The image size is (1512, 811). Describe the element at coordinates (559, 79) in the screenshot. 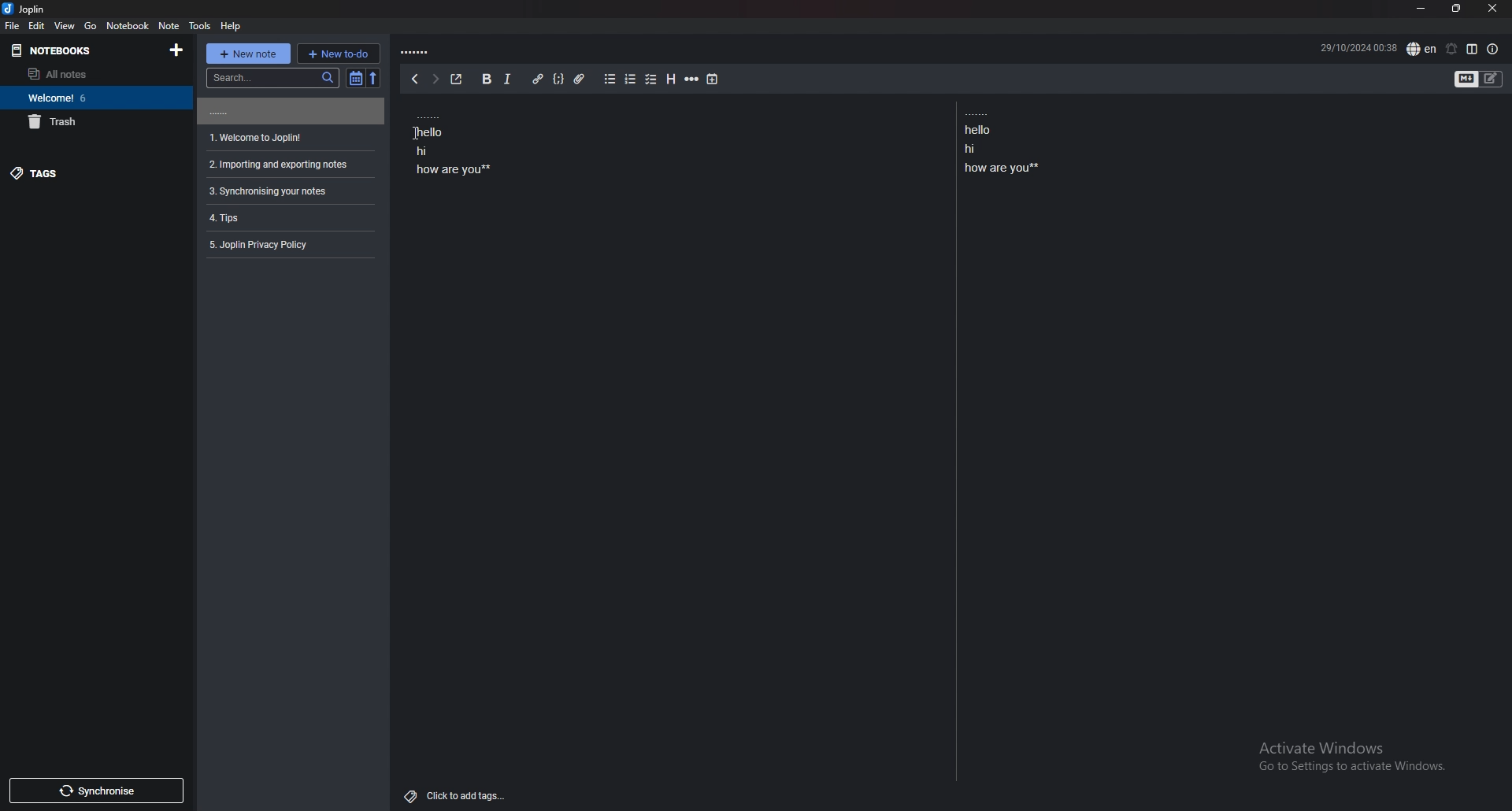

I see `code` at that location.